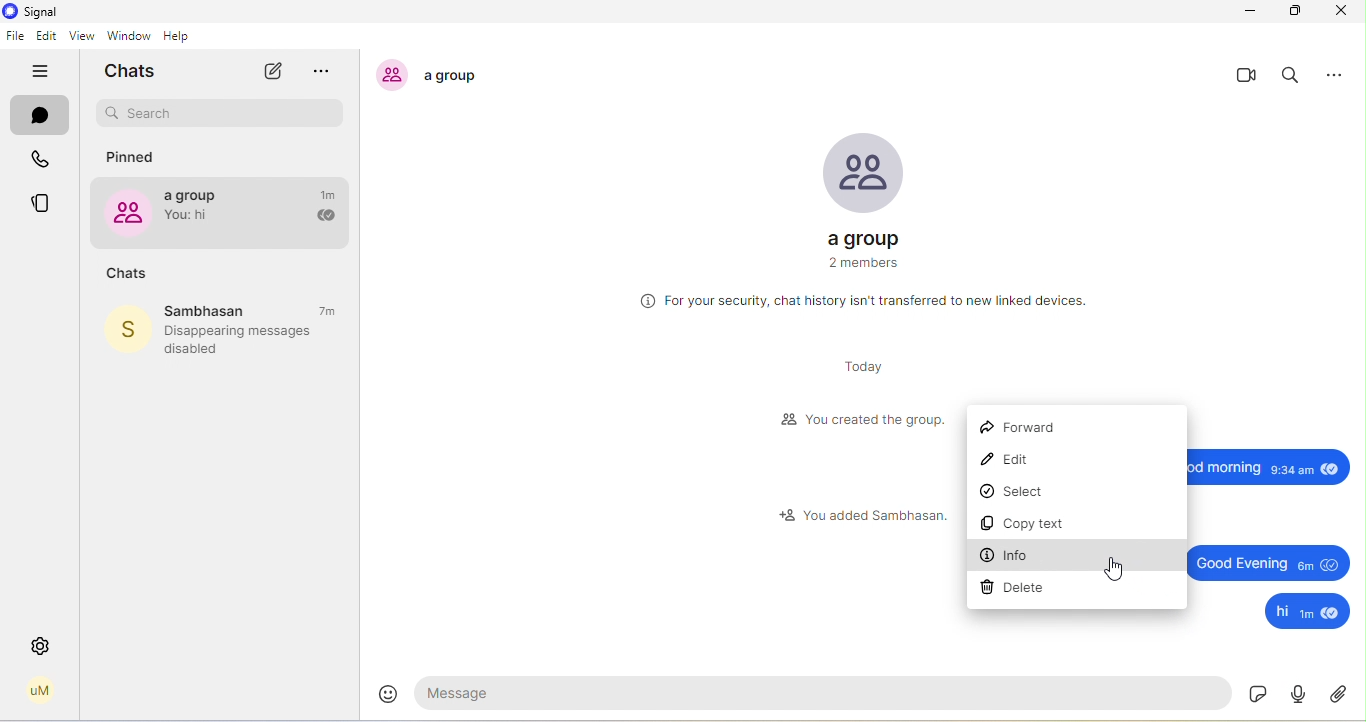 Image resolution: width=1366 pixels, height=722 pixels. I want to click on close, so click(1340, 10).